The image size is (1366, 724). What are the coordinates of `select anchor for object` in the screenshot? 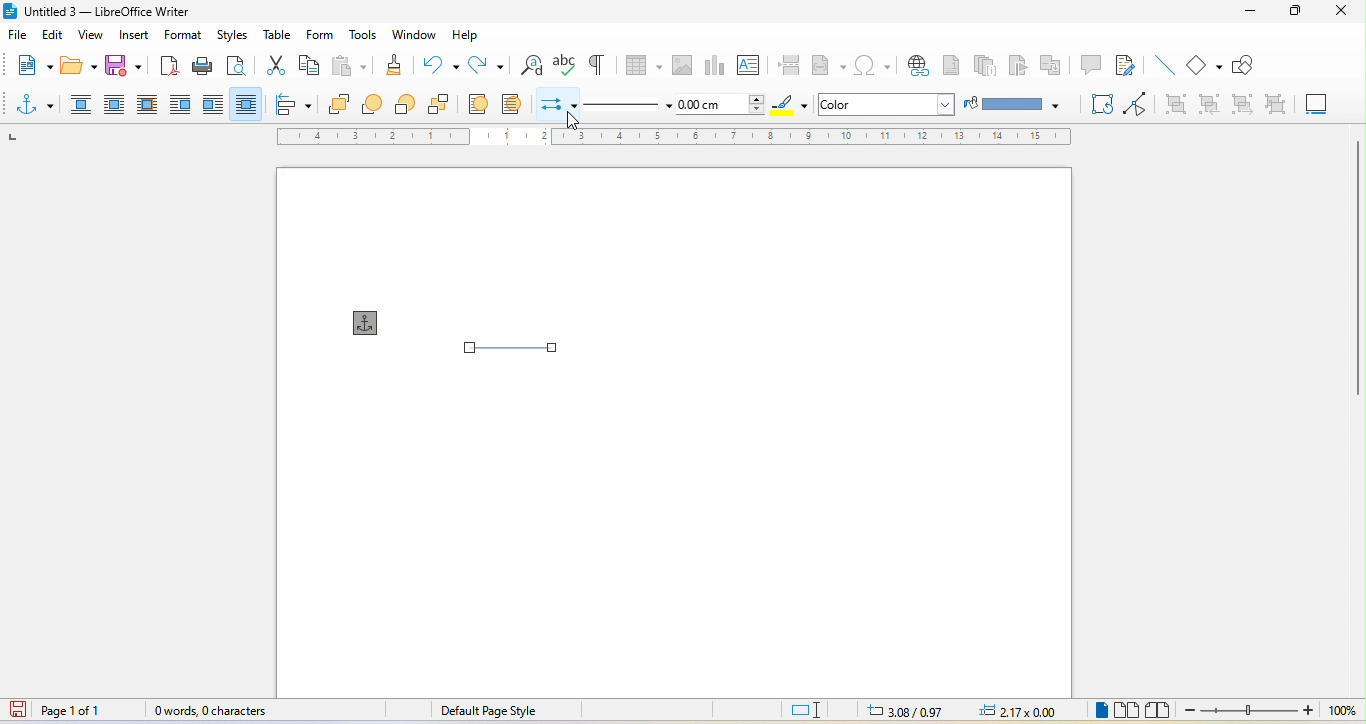 It's located at (37, 103).